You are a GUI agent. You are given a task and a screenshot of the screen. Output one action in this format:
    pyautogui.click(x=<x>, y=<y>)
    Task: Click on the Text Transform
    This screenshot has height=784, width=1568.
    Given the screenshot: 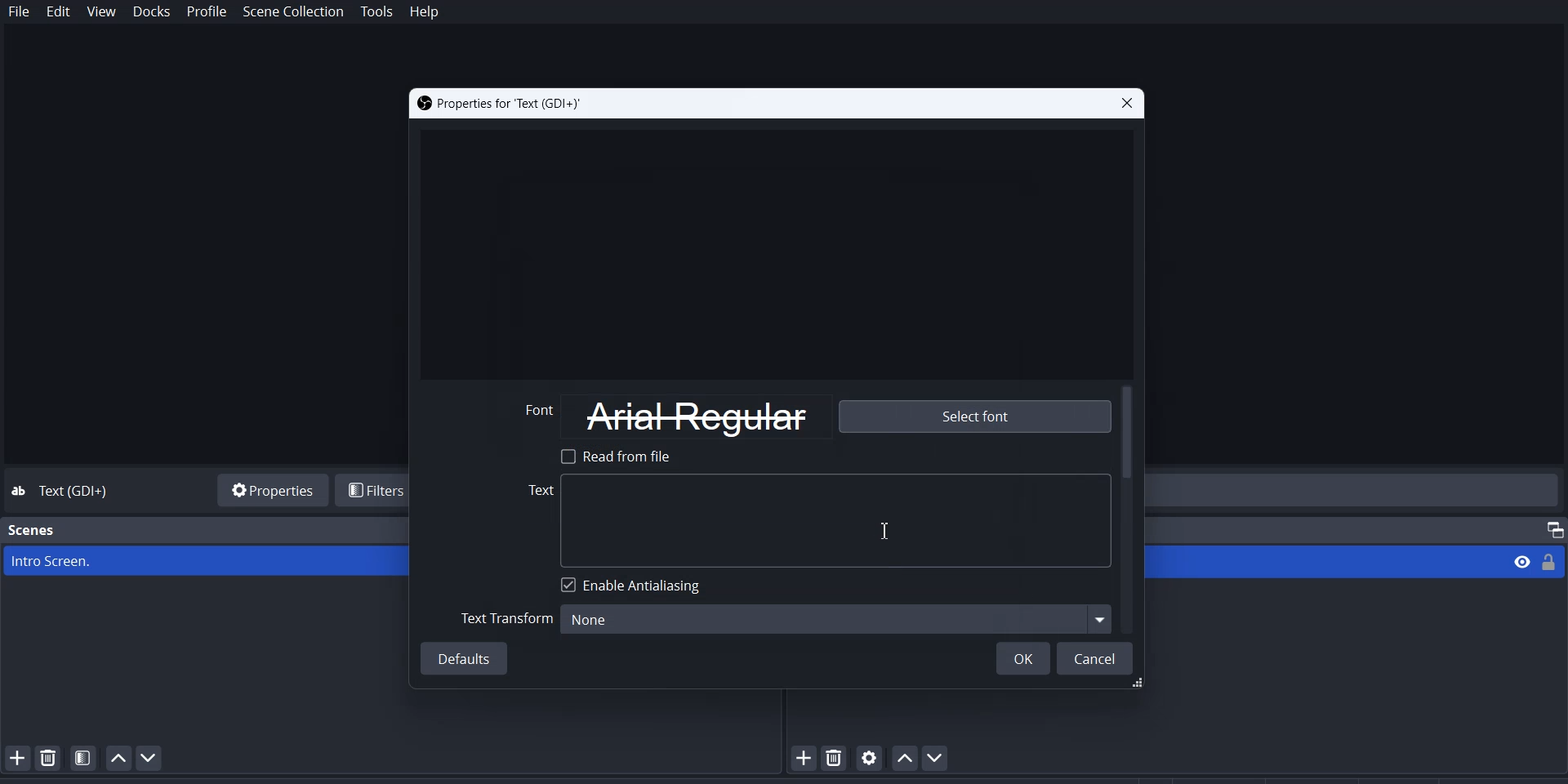 What is the action you would take?
    pyautogui.click(x=507, y=617)
    